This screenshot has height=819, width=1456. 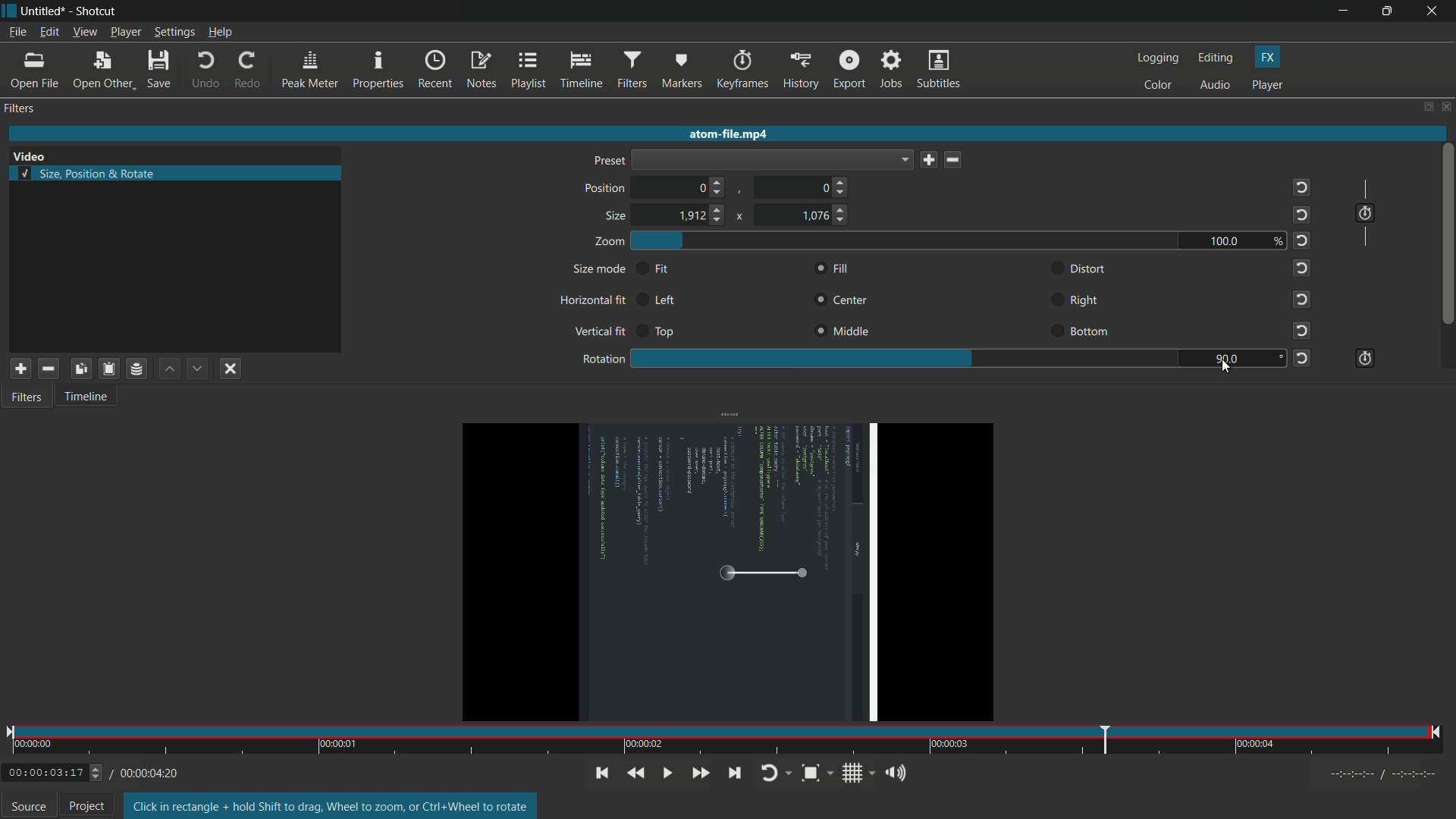 What do you see at coordinates (725, 741) in the screenshot?
I see `time and position` at bounding box center [725, 741].